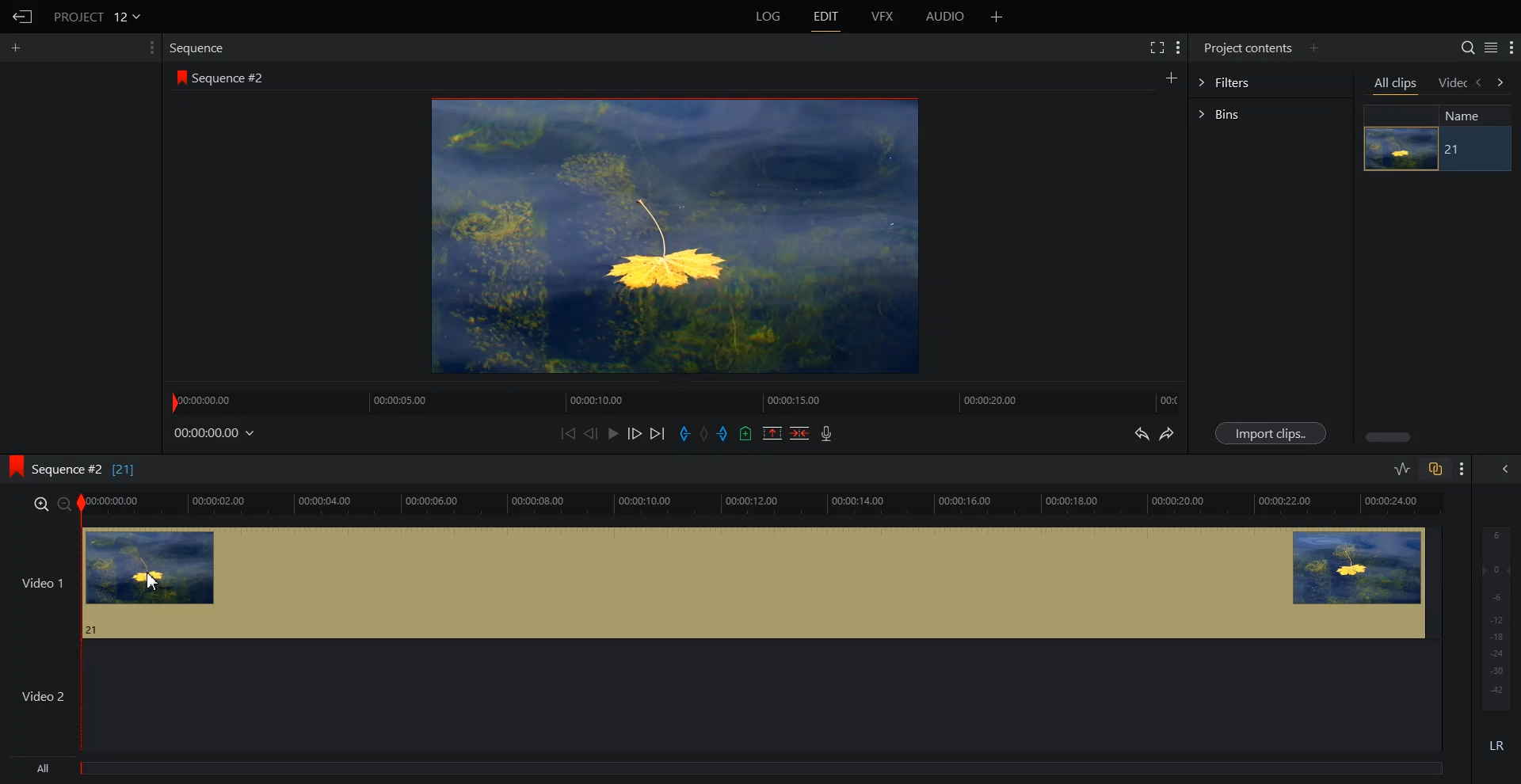 This screenshot has height=784, width=1521. I want to click on Zoom in, so click(40, 503).